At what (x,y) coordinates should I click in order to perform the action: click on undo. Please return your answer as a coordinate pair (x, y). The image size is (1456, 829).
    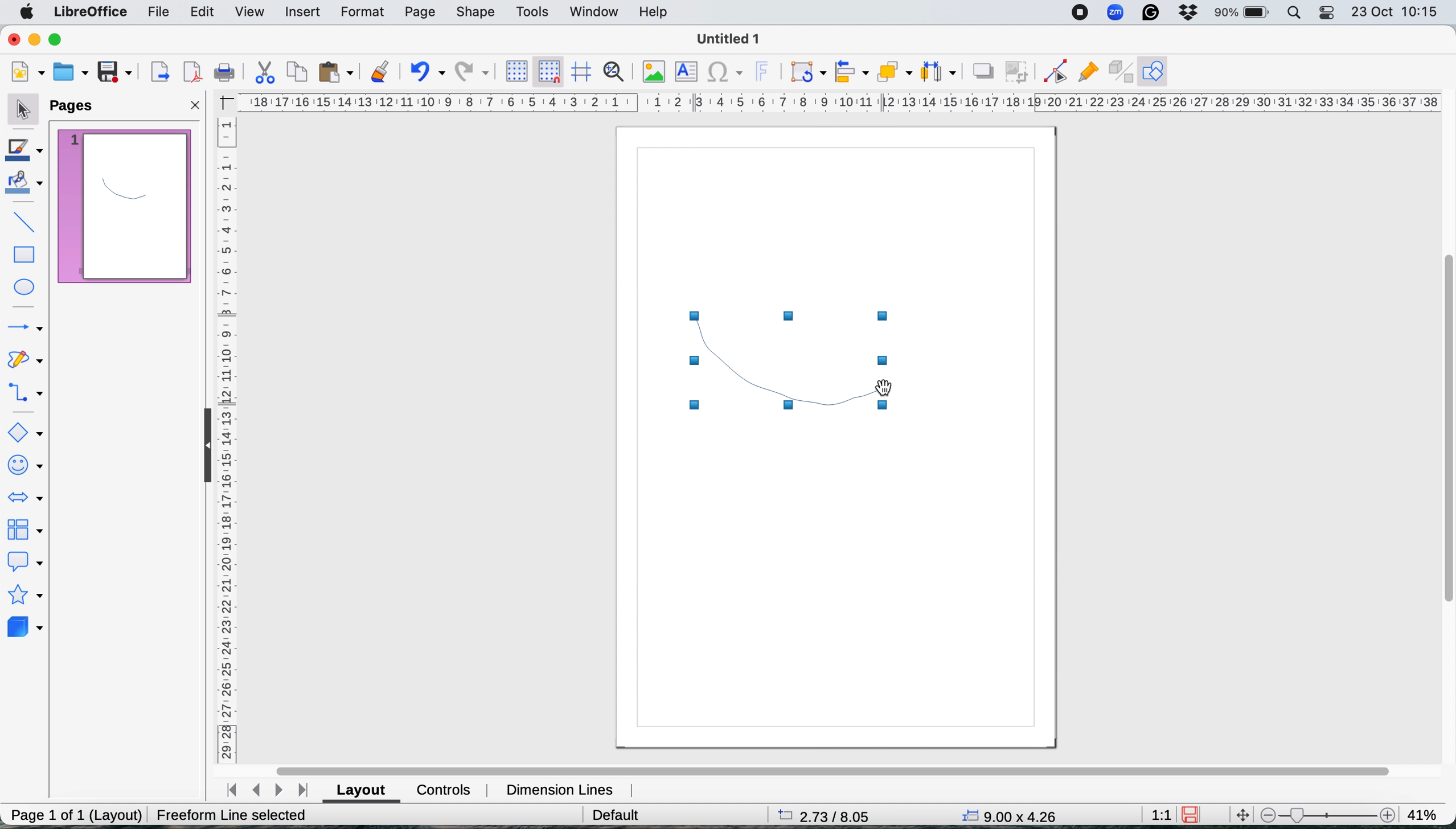
    Looking at the image, I should click on (427, 73).